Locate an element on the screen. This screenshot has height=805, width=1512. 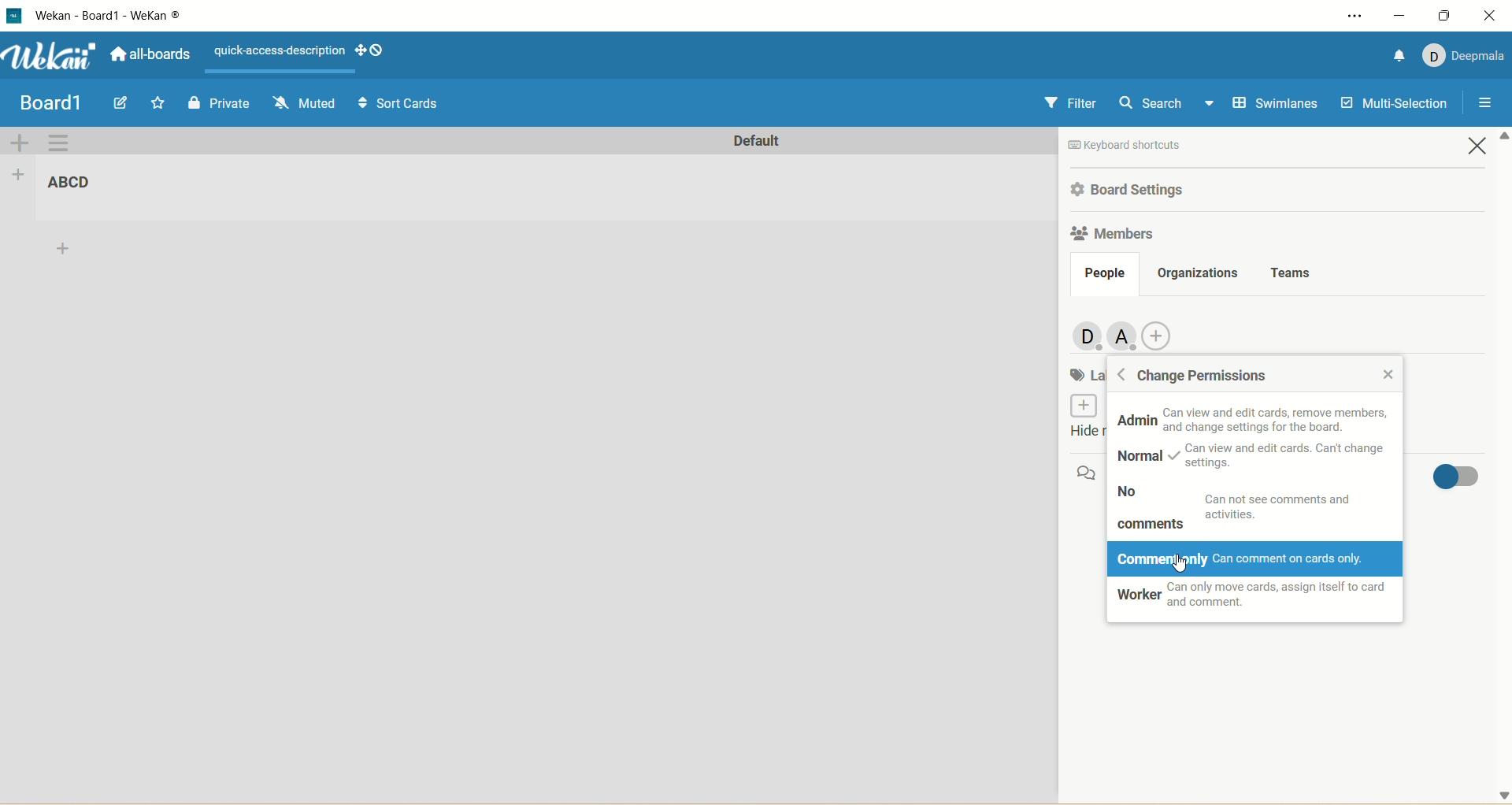
admin is located at coordinates (1135, 424).